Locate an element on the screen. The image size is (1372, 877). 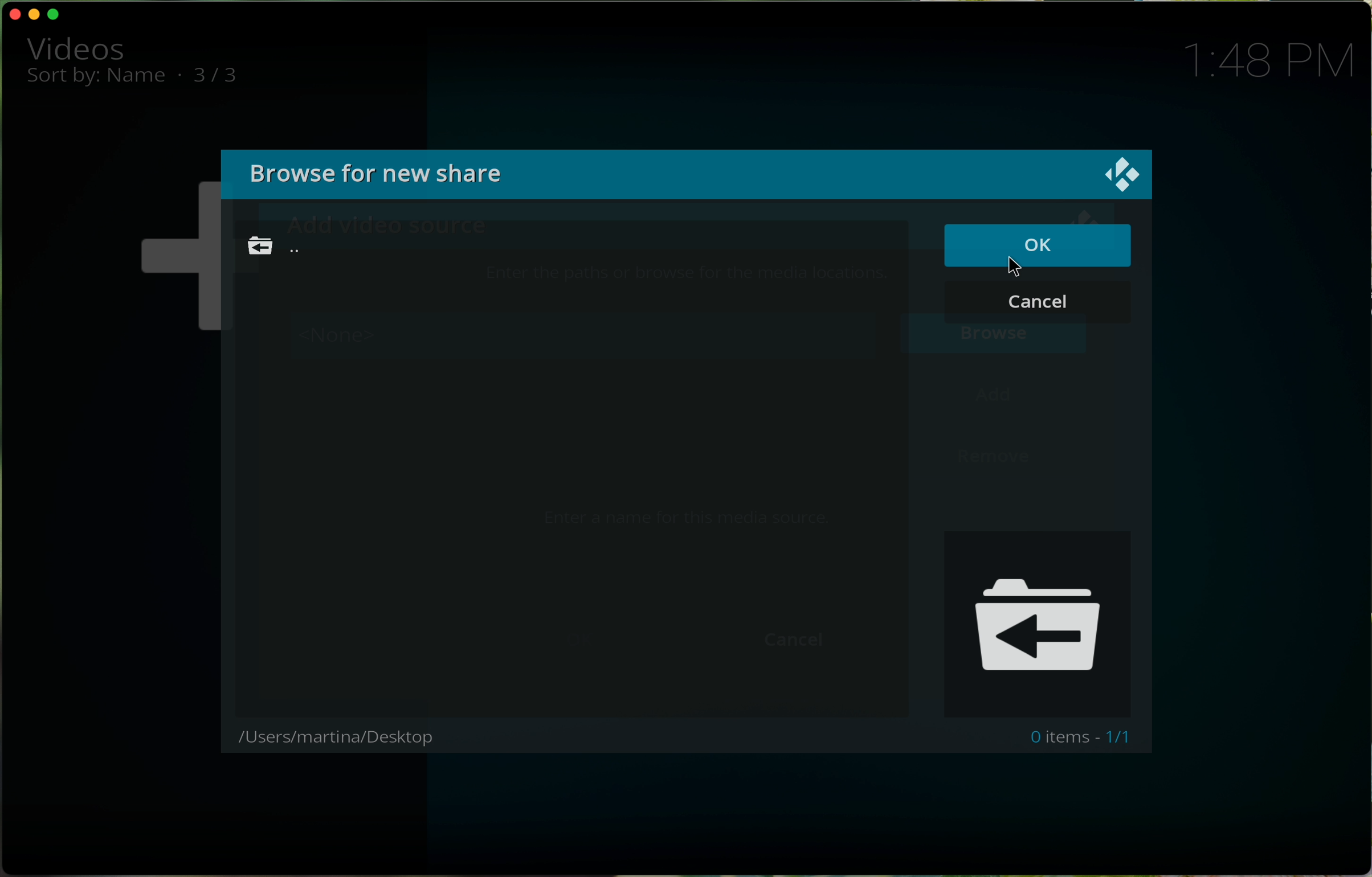
1:48 PM is located at coordinates (1277, 59).